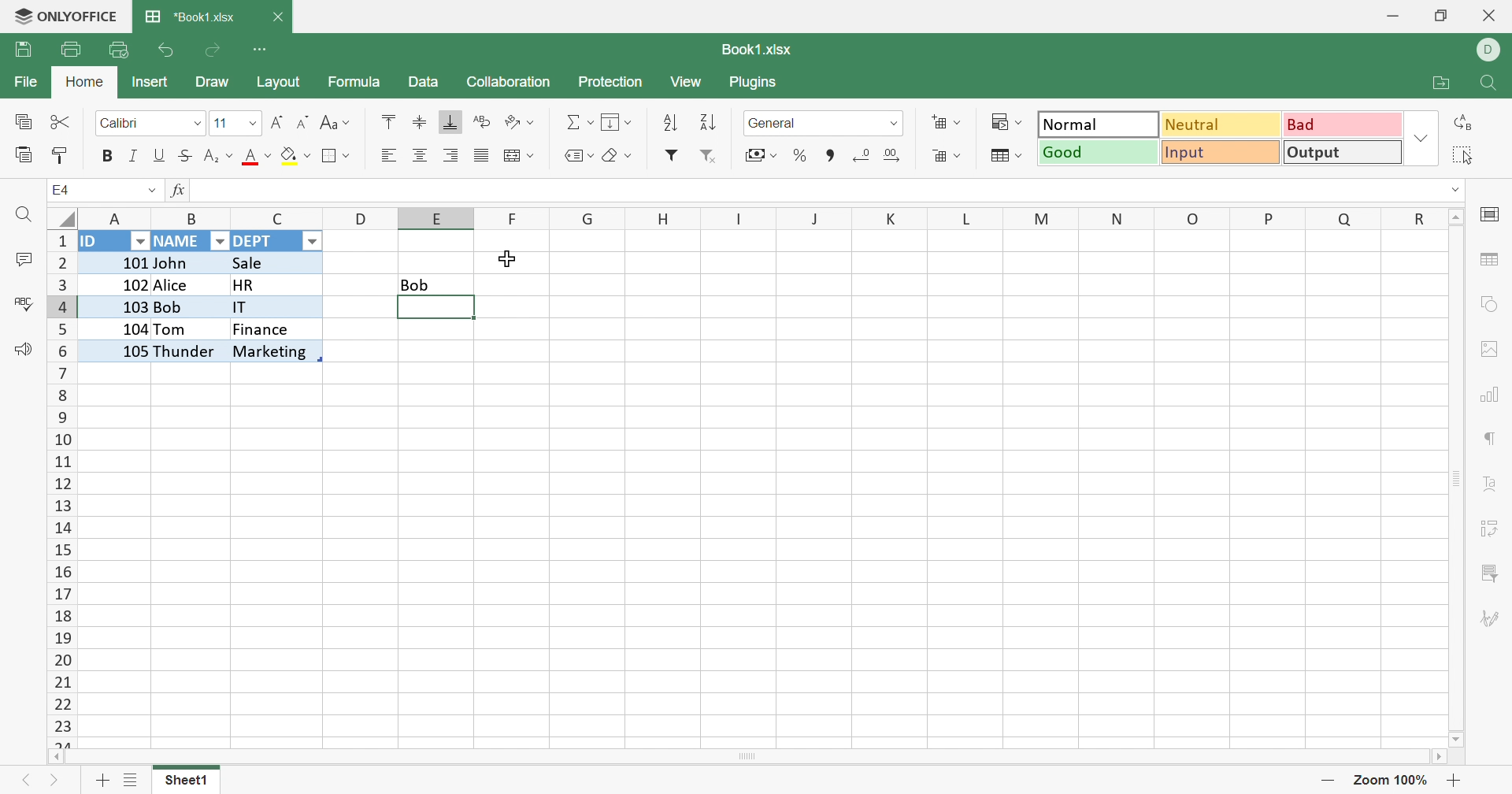  What do you see at coordinates (24, 122) in the screenshot?
I see `Copy` at bounding box center [24, 122].